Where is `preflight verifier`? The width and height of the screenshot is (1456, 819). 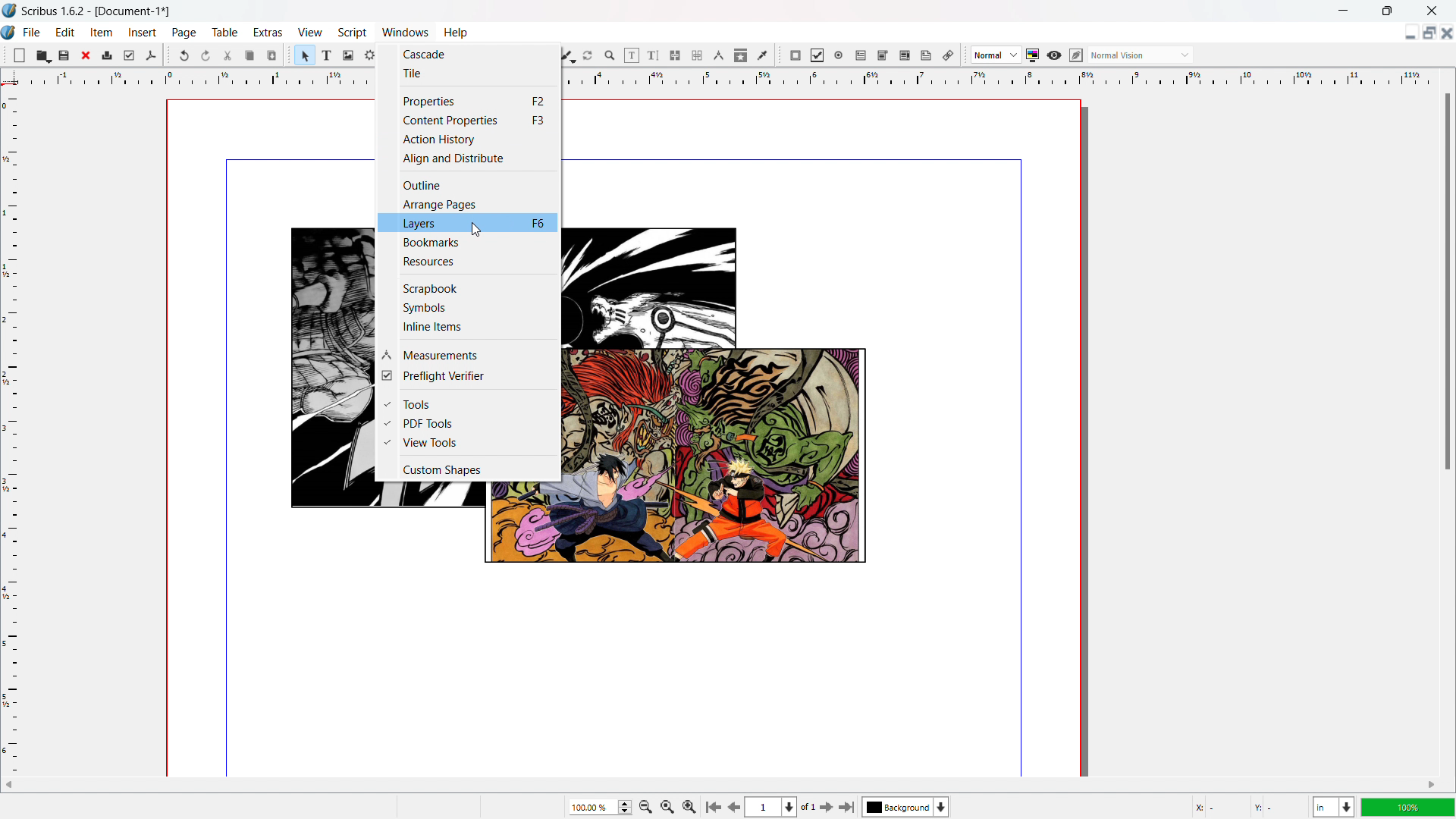 preflight verifier is located at coordinates (469, 376).